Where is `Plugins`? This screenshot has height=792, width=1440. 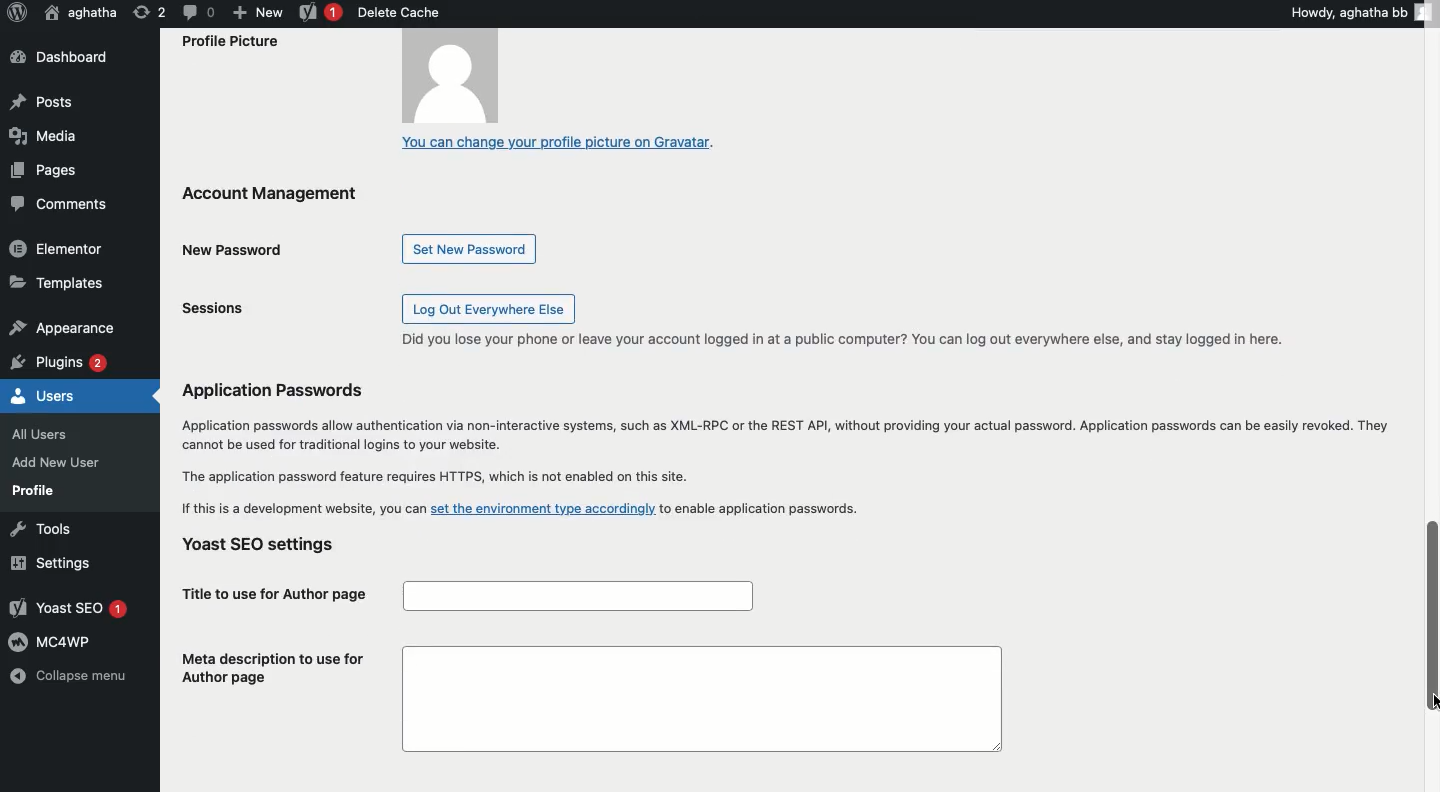
Plugins is located at coordinates (61, 360).